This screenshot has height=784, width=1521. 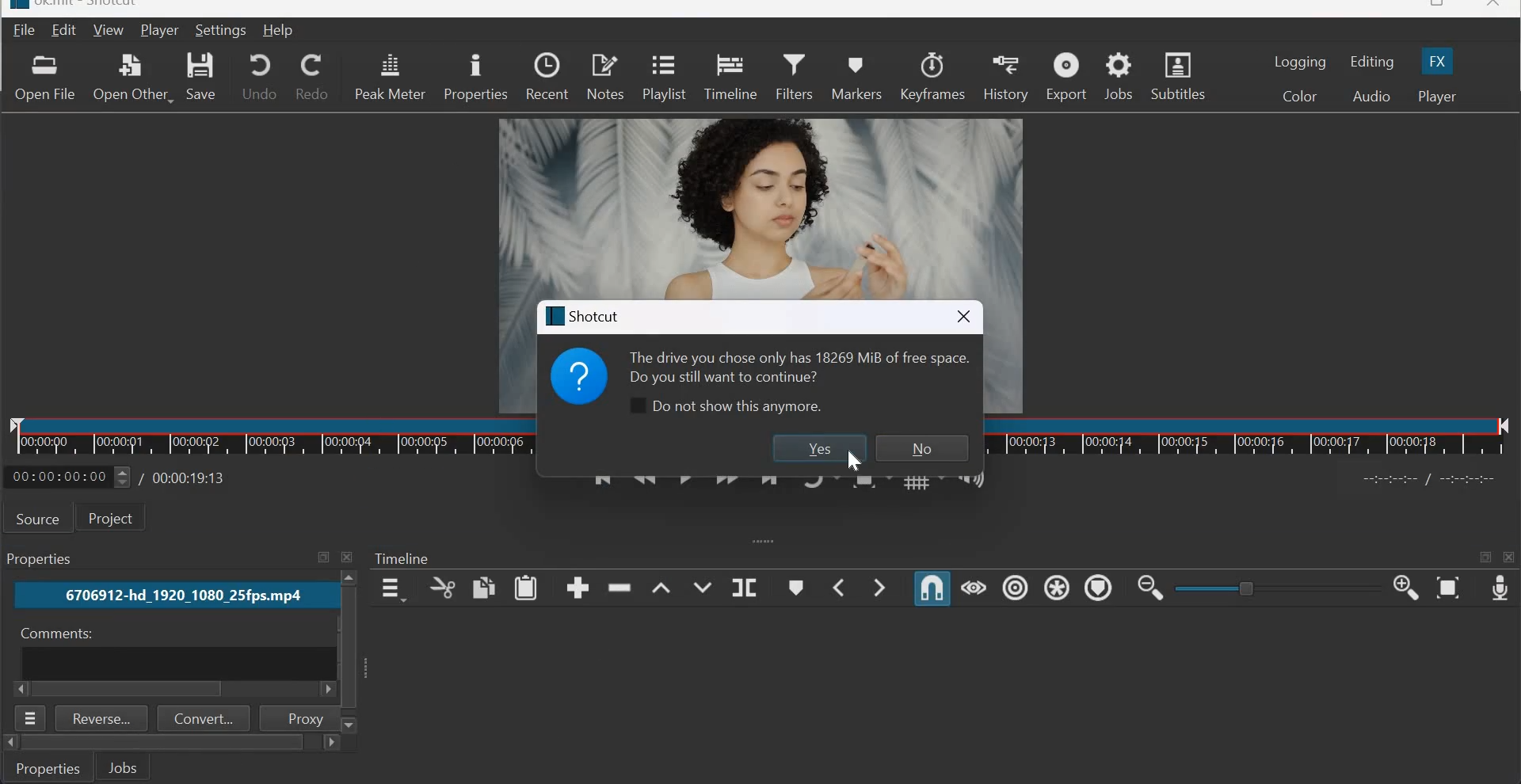 What do you see at coordinates (1250, 436) in the screenshot?
I see `timeline` at bounding box center [1250, 436].